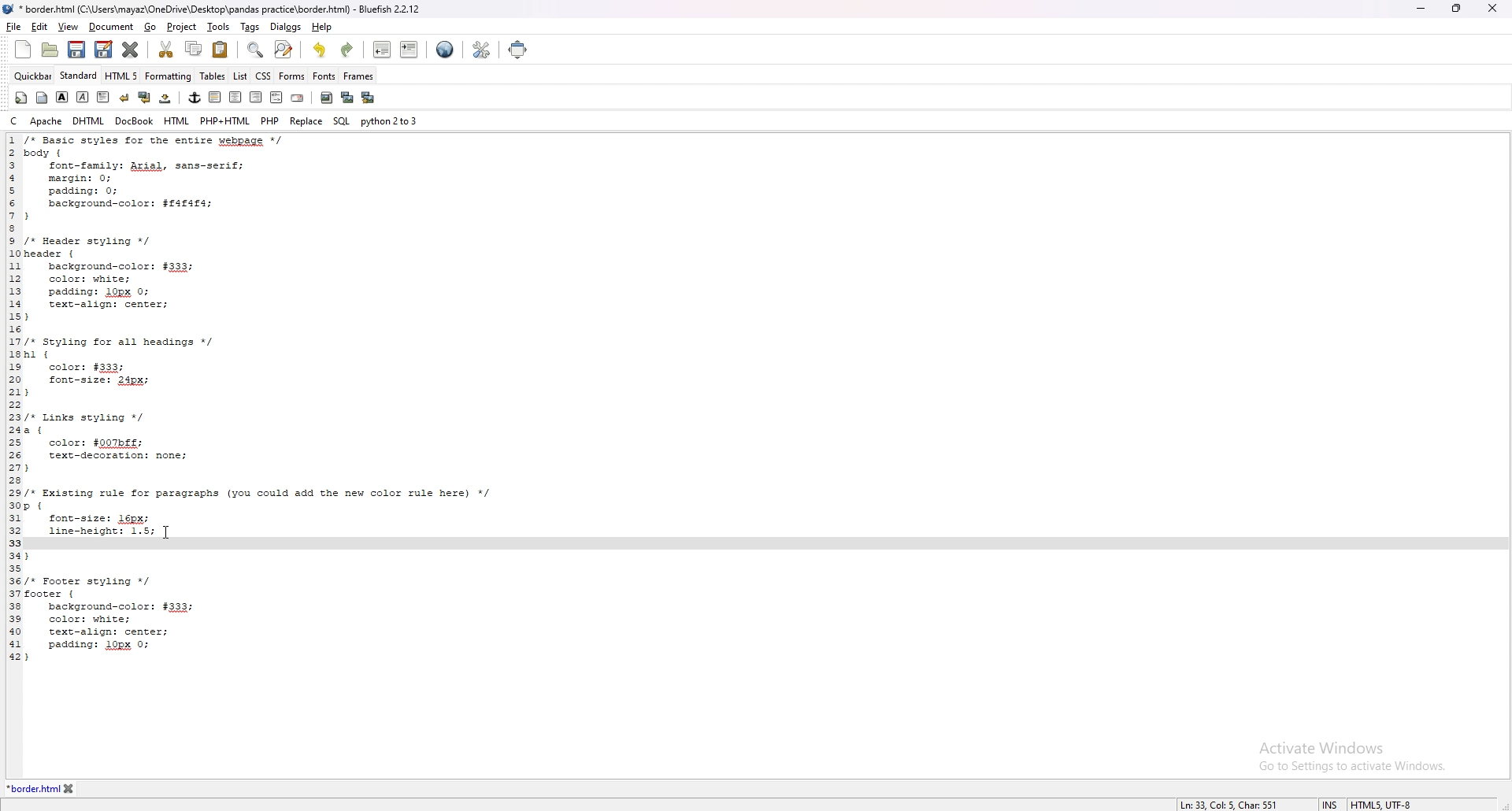  What do you see at coordinates (321, 50) in the screenshot?
I see `undo` at bounding box center [321, 50].